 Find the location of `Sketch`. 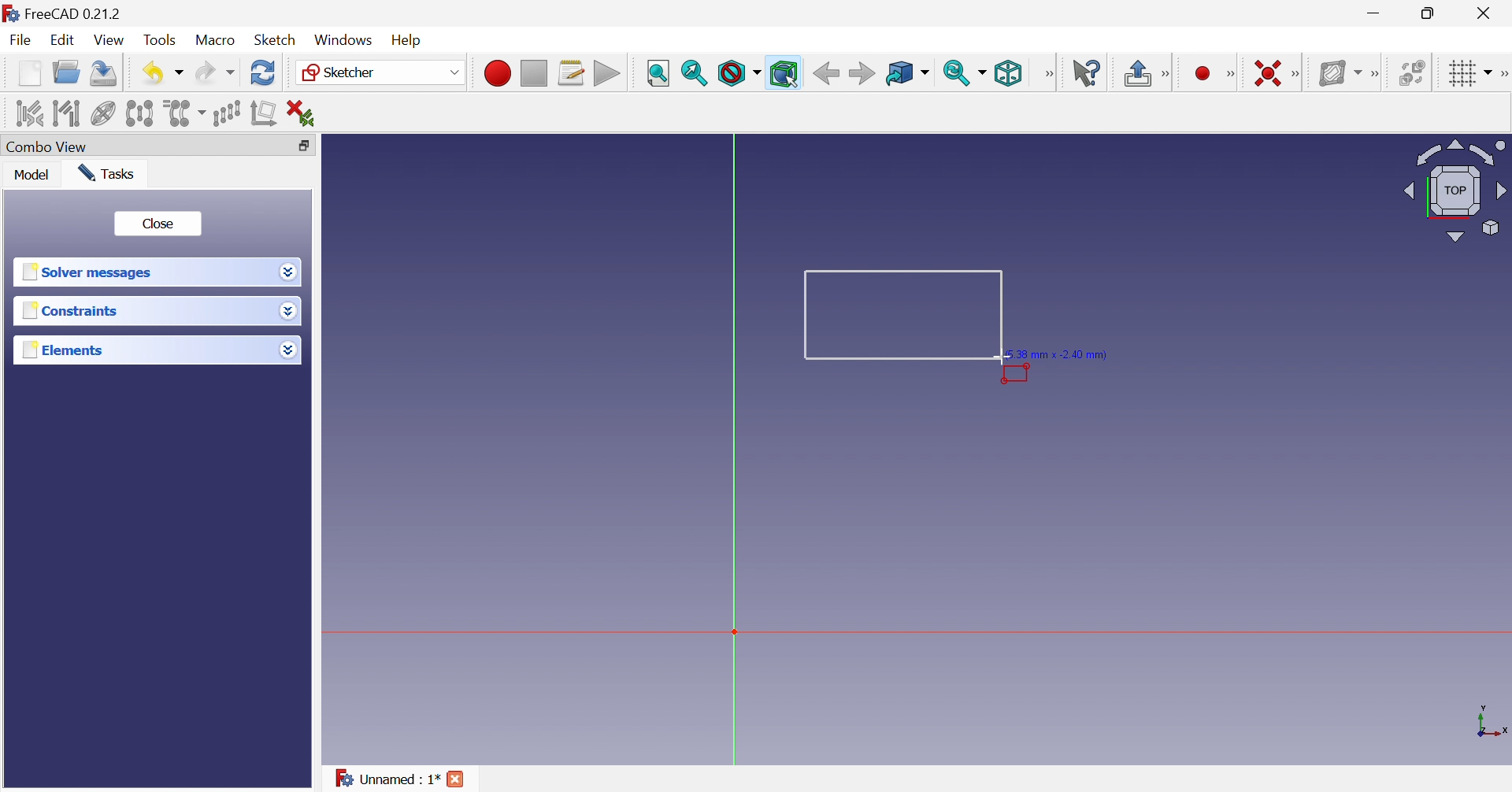

Sketch is located at coordinates (277, 39).